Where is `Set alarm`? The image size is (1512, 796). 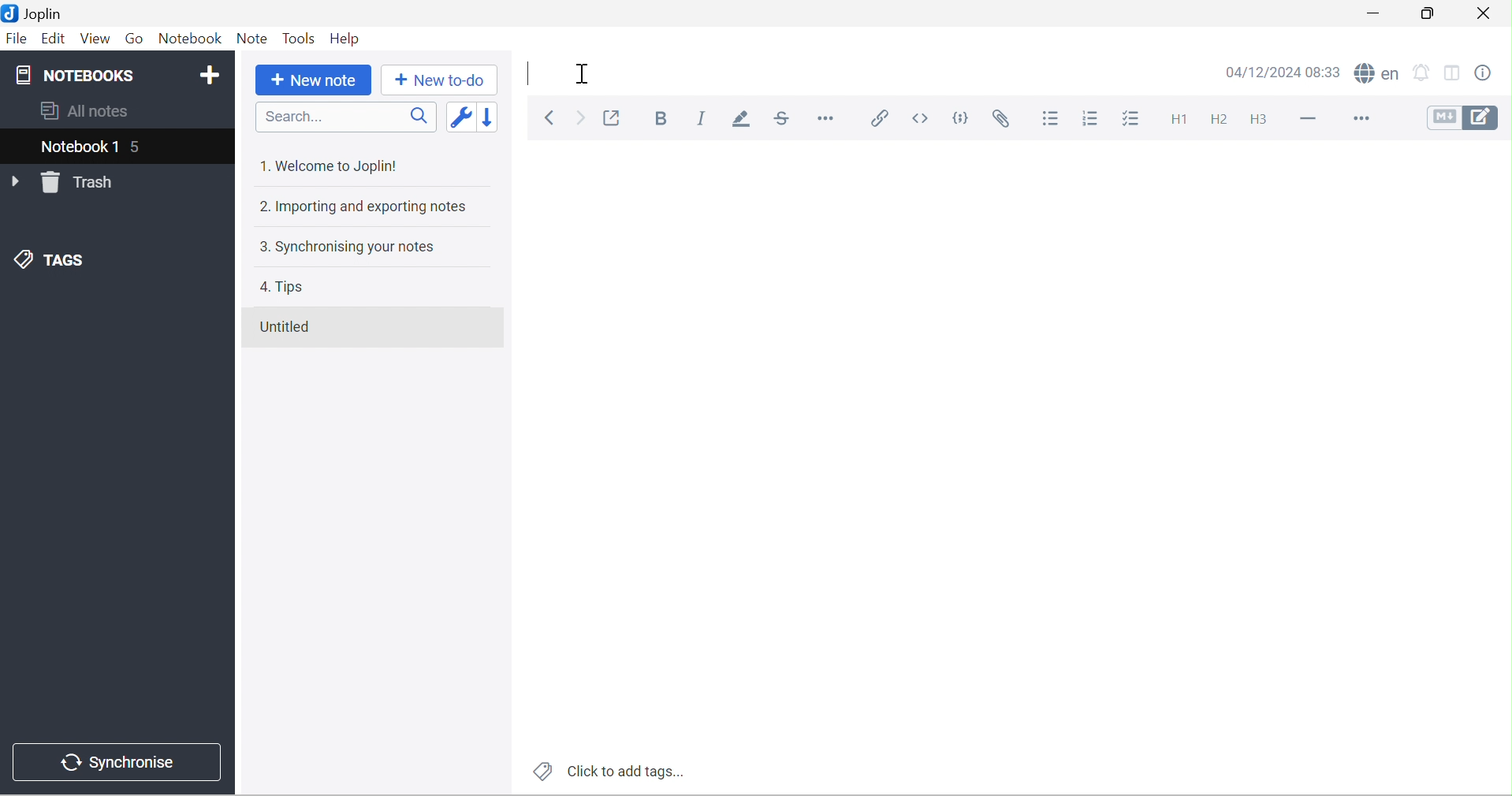 Set alarm is located at coordinates (1423, 74).